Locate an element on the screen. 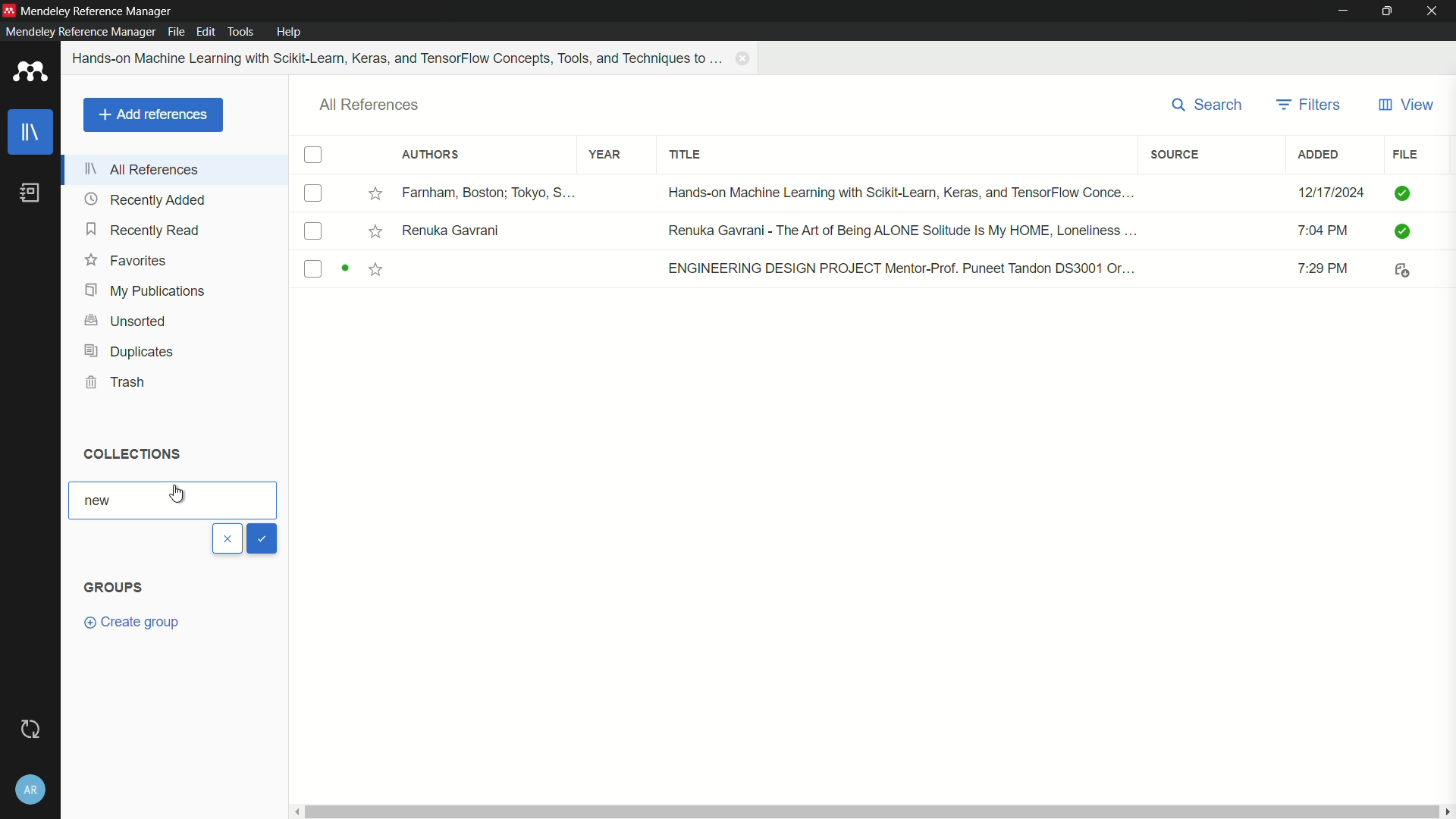 Image resolution: width=1456 pixels, height=819 pixels. app name is located at coordinates (98, 11).